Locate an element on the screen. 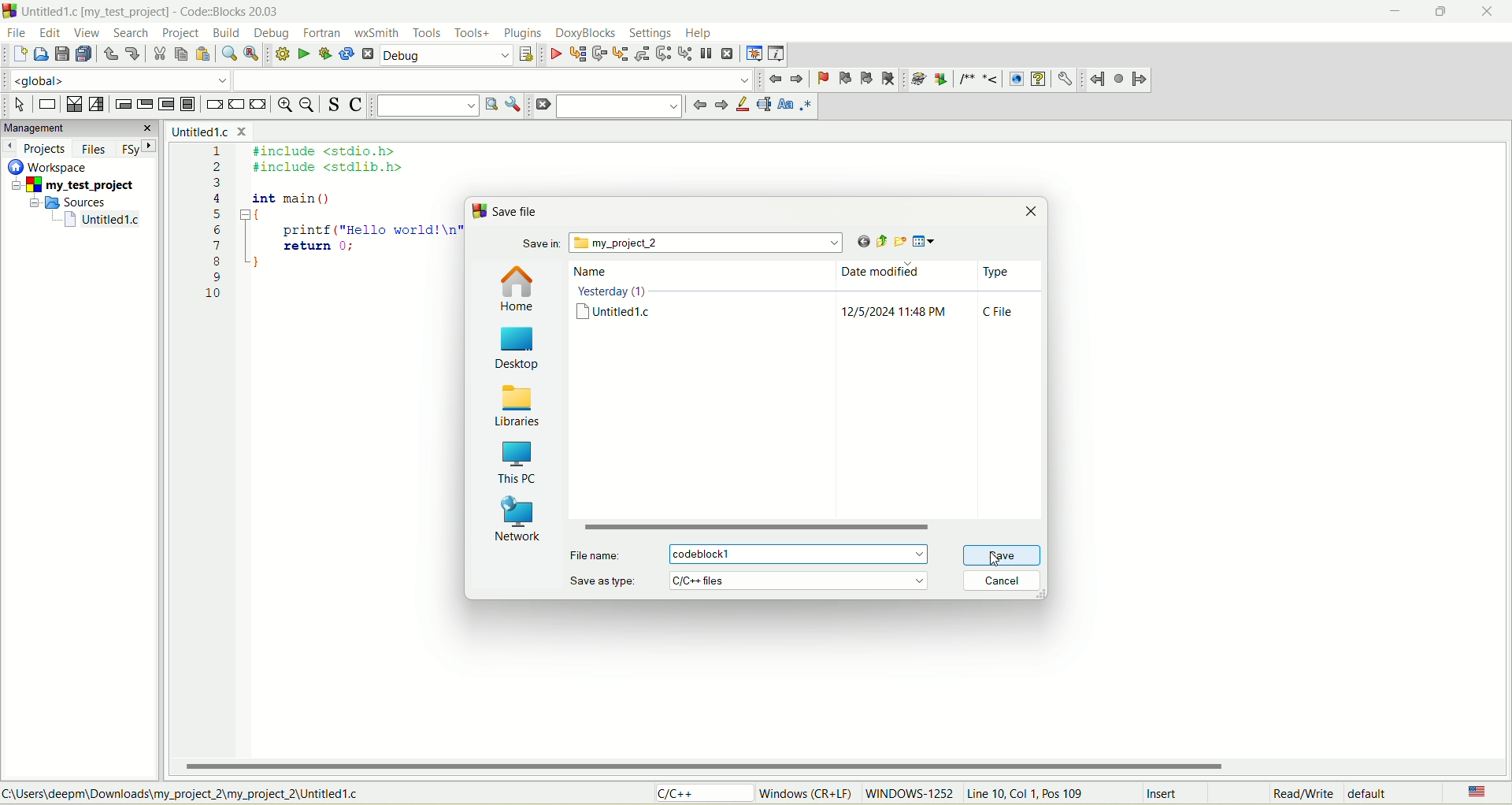 The width and height of the screenshot is (1512, 805). read/write is located at coordinates (1300, 795).